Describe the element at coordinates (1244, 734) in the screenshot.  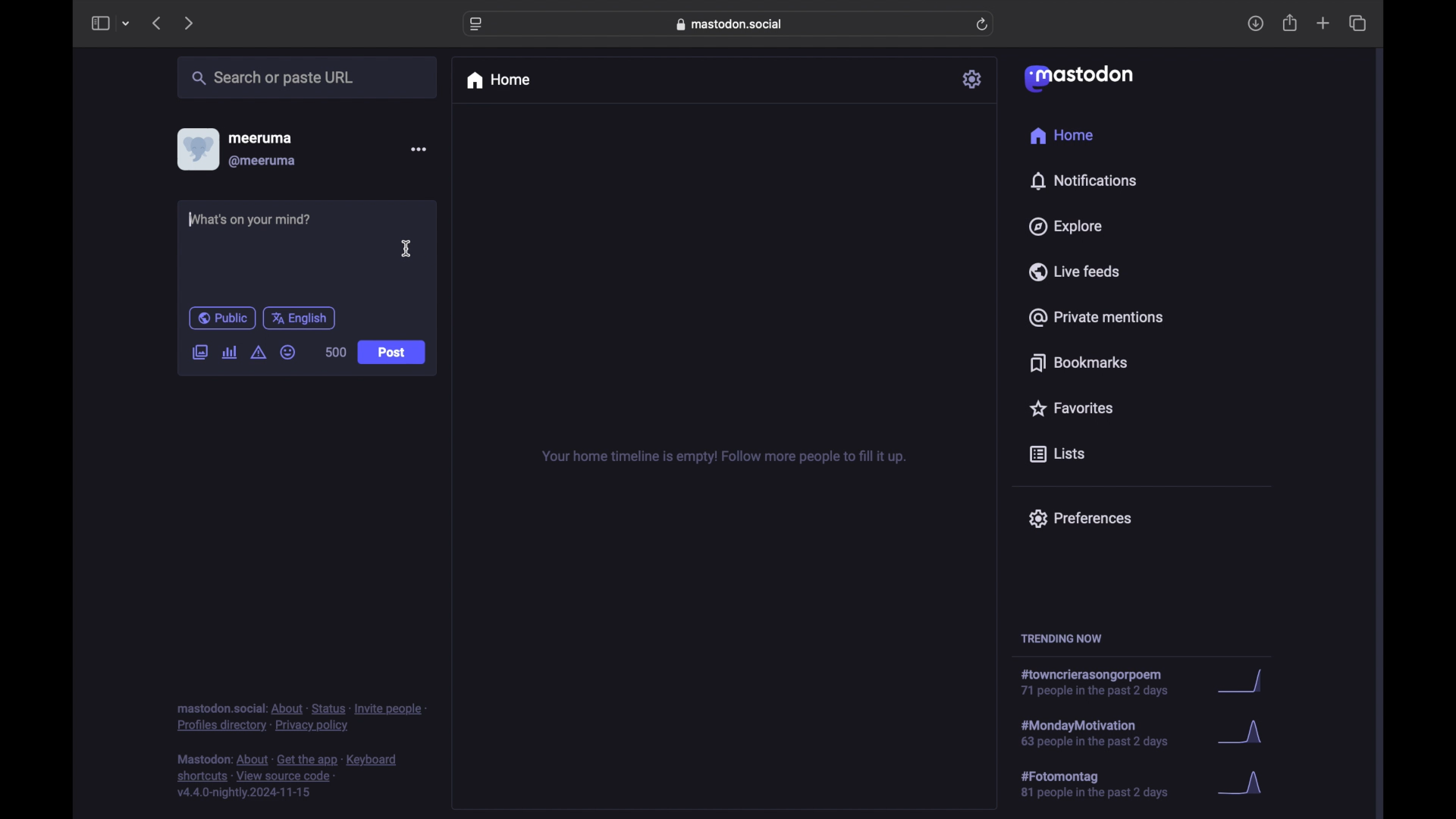
I see `graph` at that location.